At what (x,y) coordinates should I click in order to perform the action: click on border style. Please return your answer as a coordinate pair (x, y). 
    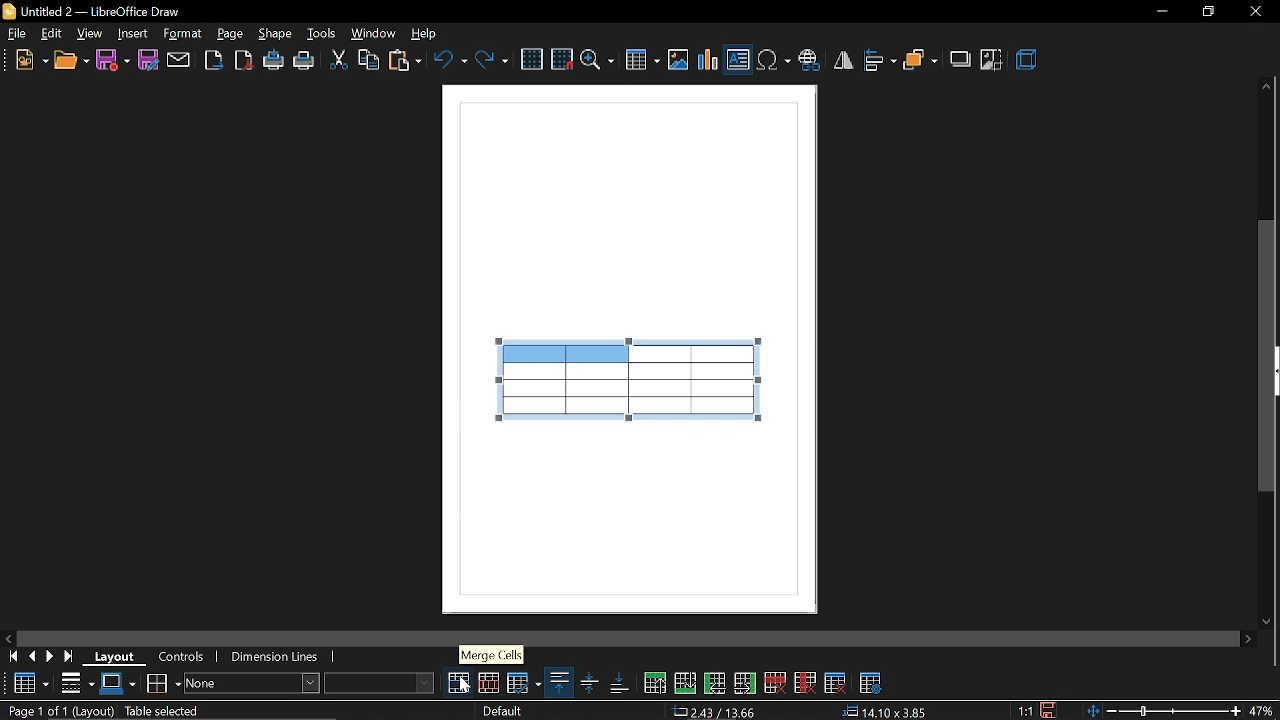
    Looking at the image, I should click on (78, 683).